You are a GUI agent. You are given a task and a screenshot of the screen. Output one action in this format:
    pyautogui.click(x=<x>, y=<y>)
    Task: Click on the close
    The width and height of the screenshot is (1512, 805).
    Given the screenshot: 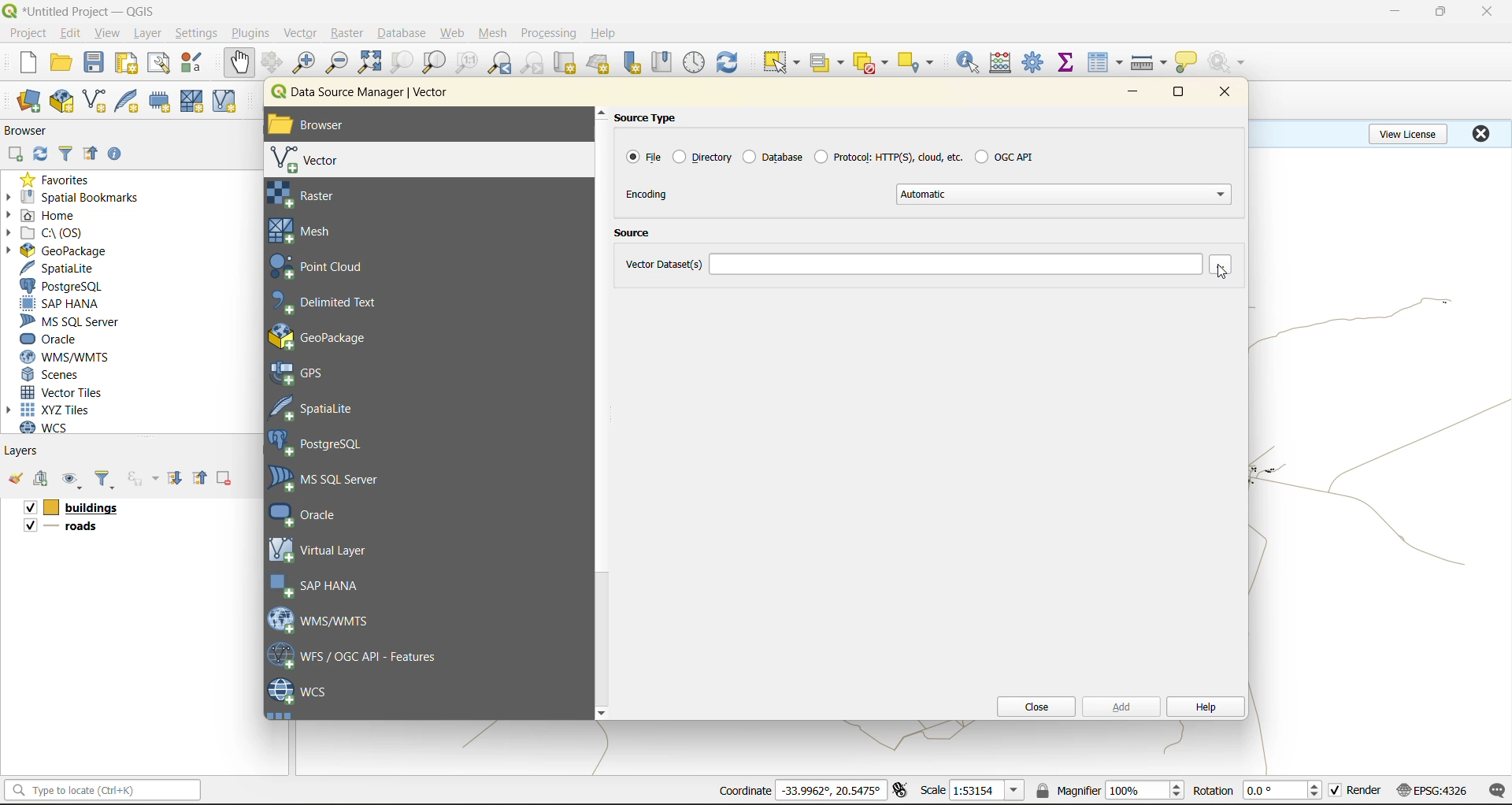 What is the action you would take?
    pyautogui.click(x=1480, y=133)
    